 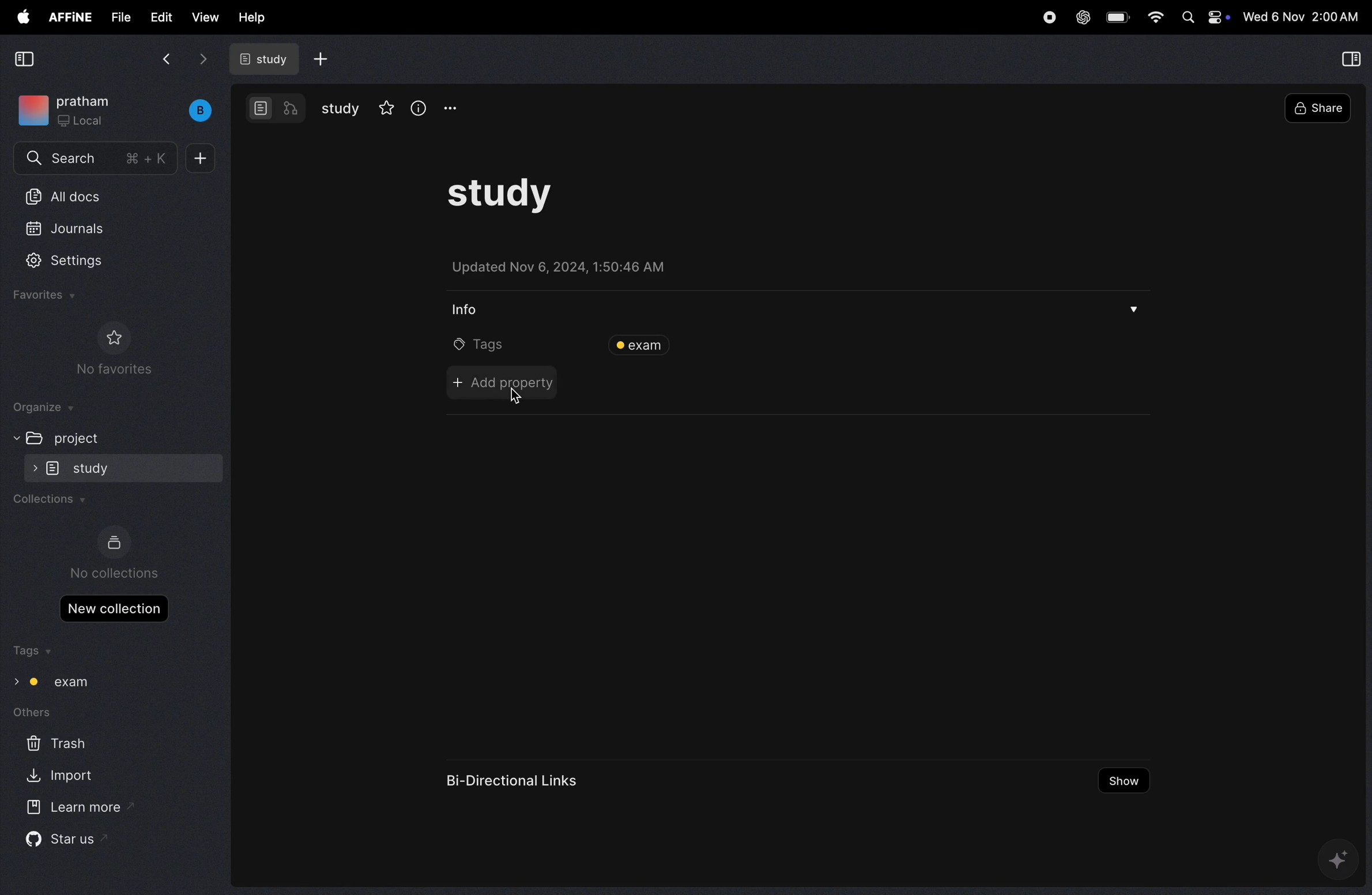 I want to click on buench, so click(x=200, y=110).